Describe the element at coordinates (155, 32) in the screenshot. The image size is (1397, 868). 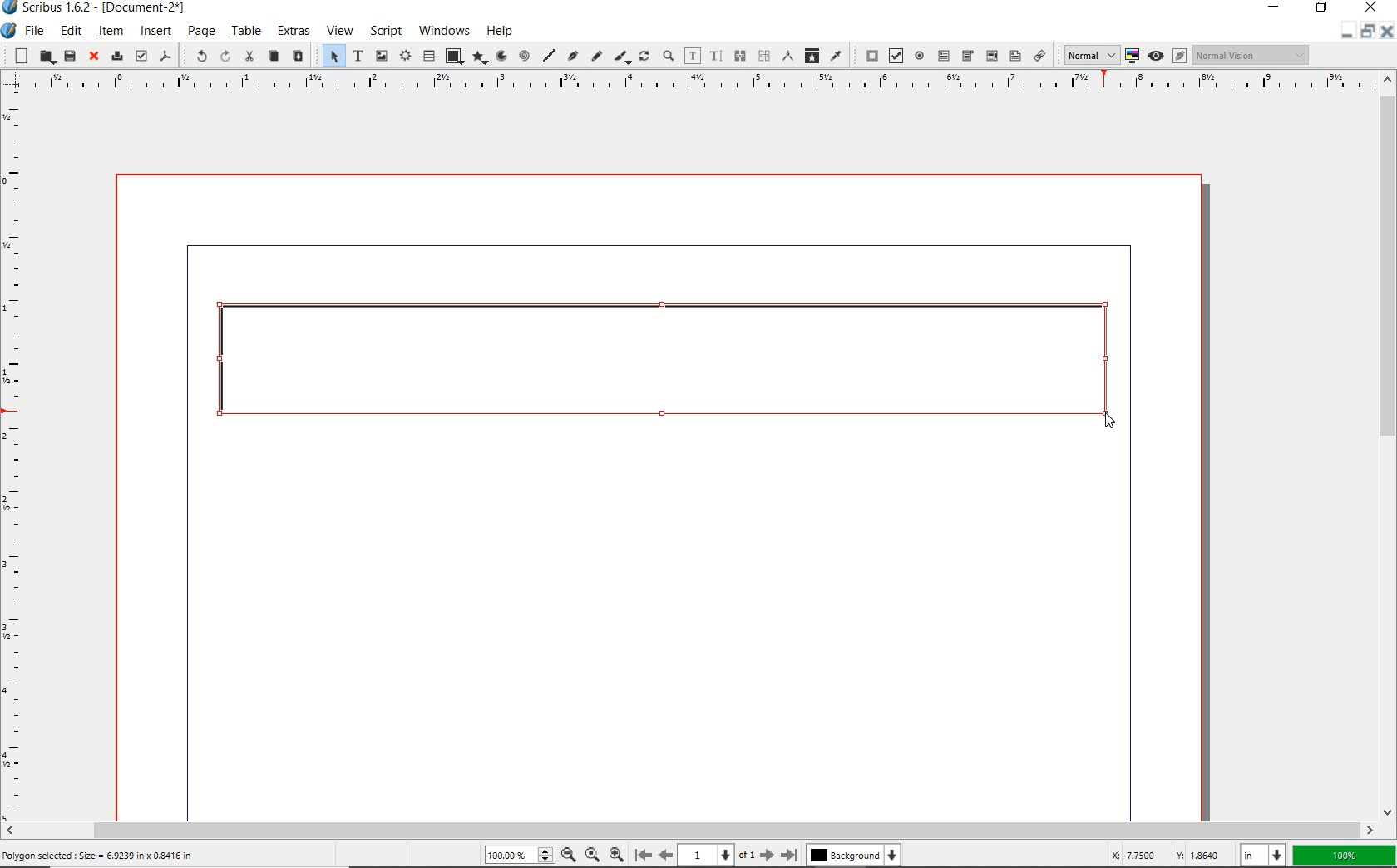
I see `insert` at that location.